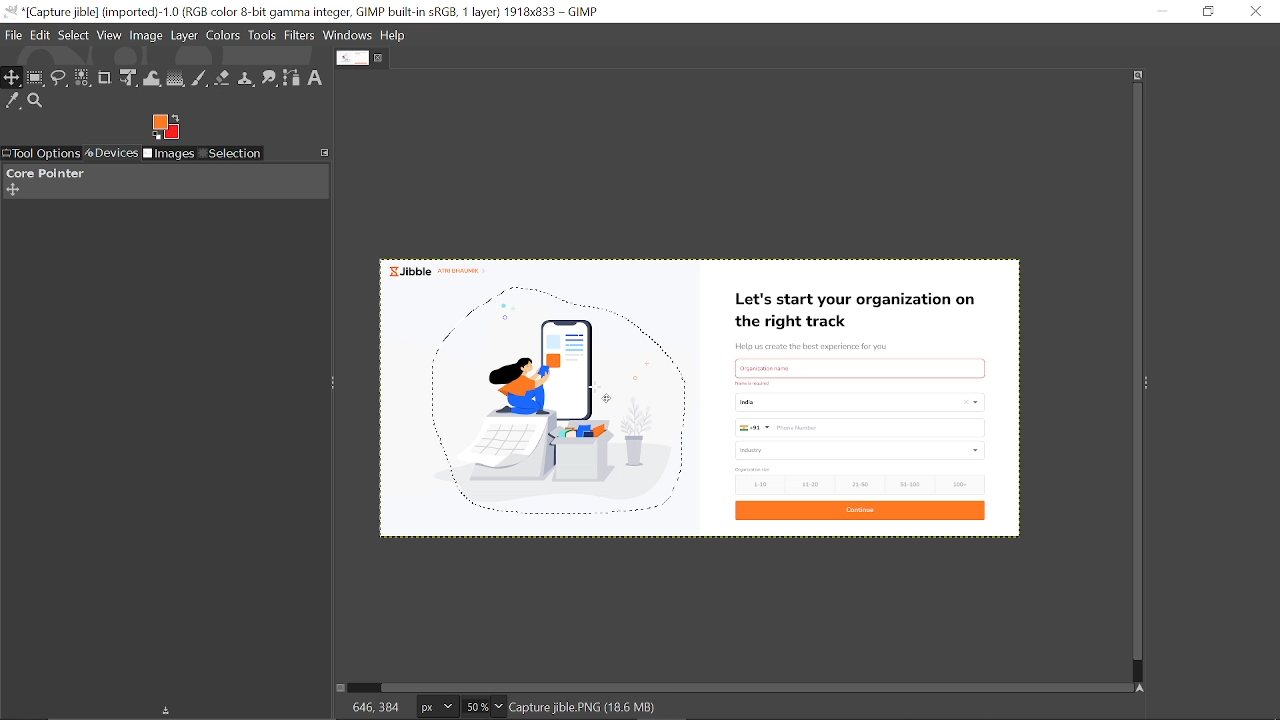 The image size is (1280, 720). What do you see at coordinates (262, 35) in the screenshot?
I see `Tools` at bounding box center [262, 35].